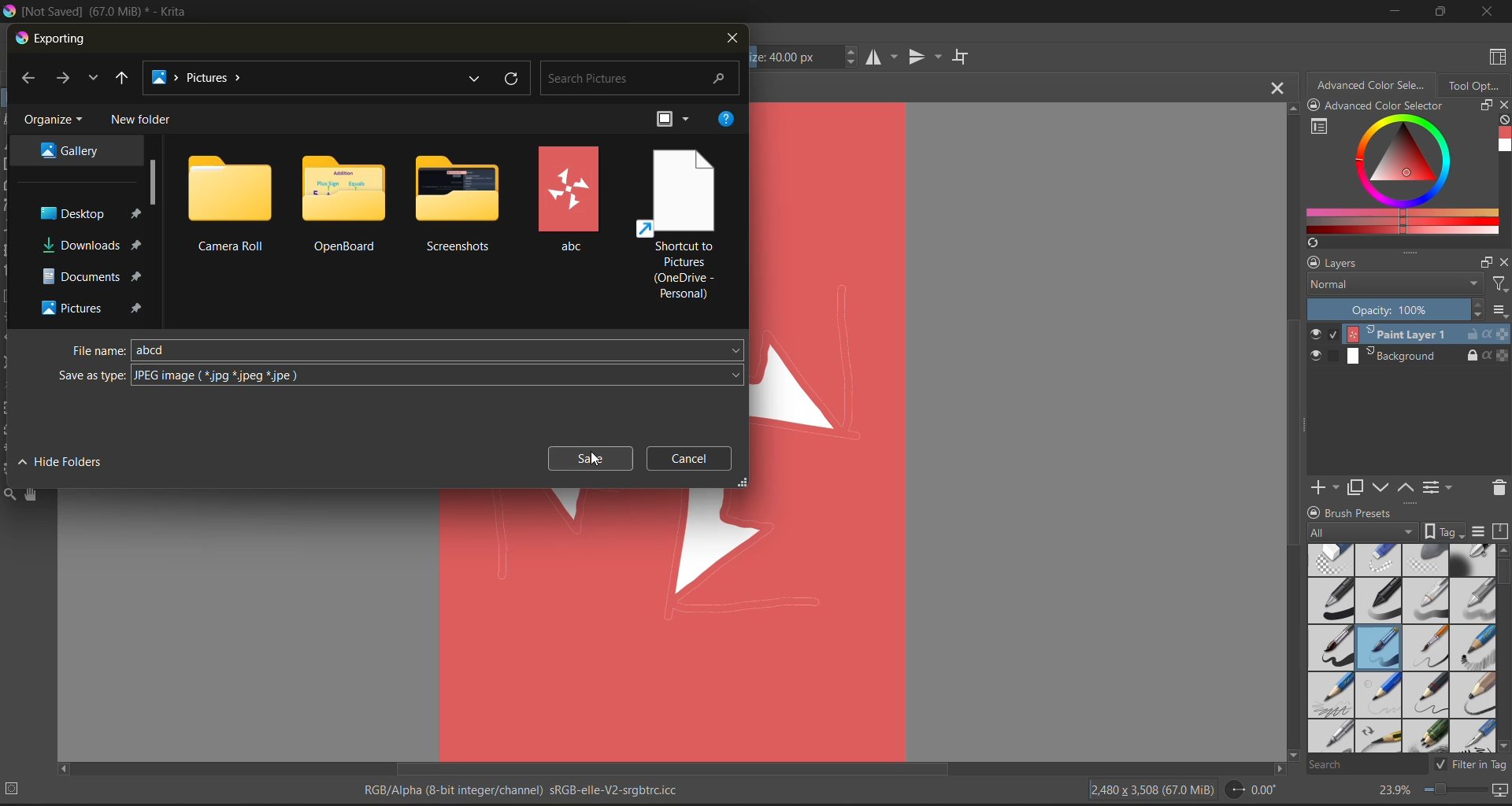 The image size is (1512, 806). I want to click on view or change the layer properties, so click(1439, 486).